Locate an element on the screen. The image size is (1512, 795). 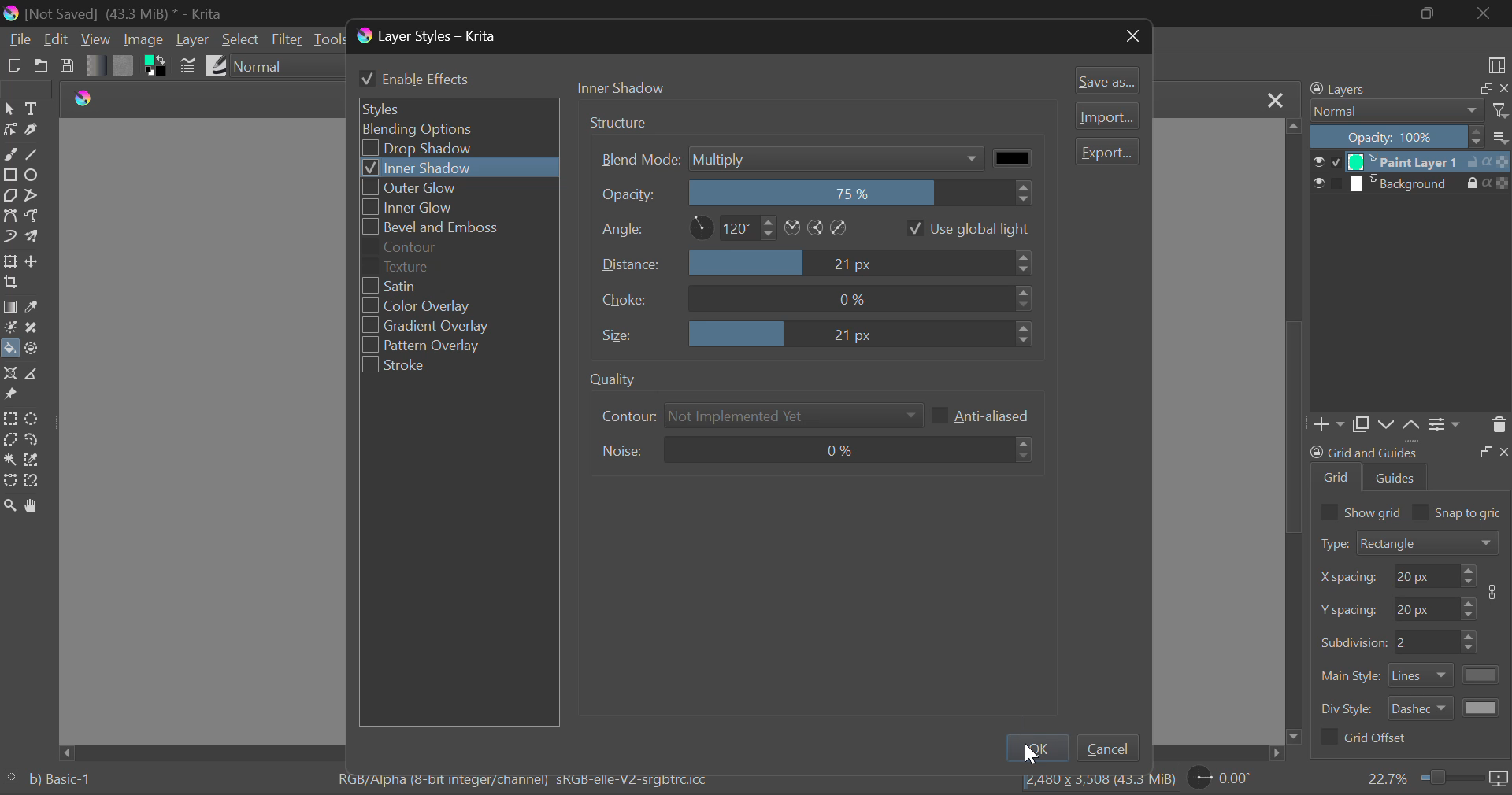
Reference Images is located at coordinates (9, 394).